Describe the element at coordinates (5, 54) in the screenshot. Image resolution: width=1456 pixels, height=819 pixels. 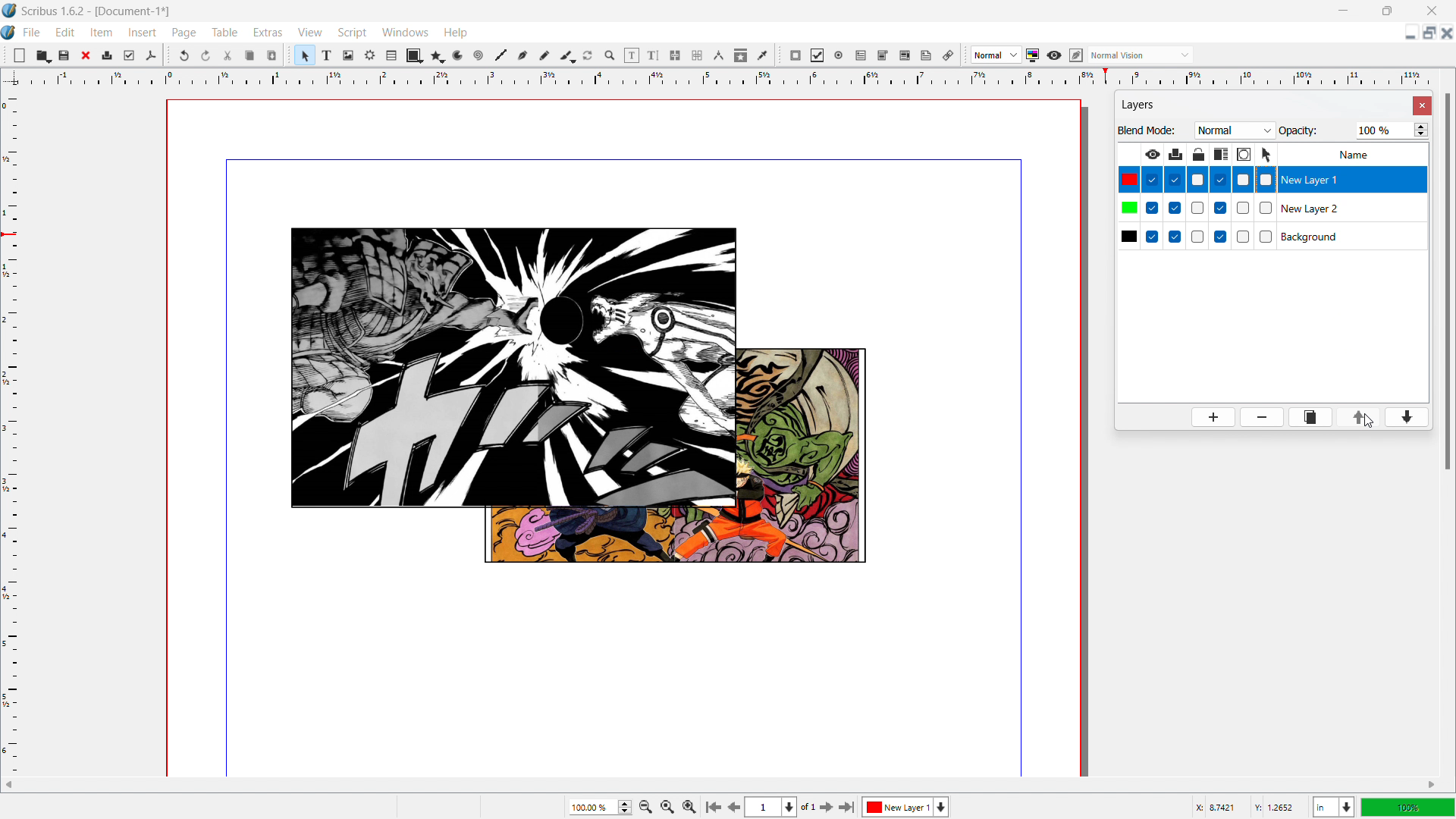
I see `move tools` at that location.